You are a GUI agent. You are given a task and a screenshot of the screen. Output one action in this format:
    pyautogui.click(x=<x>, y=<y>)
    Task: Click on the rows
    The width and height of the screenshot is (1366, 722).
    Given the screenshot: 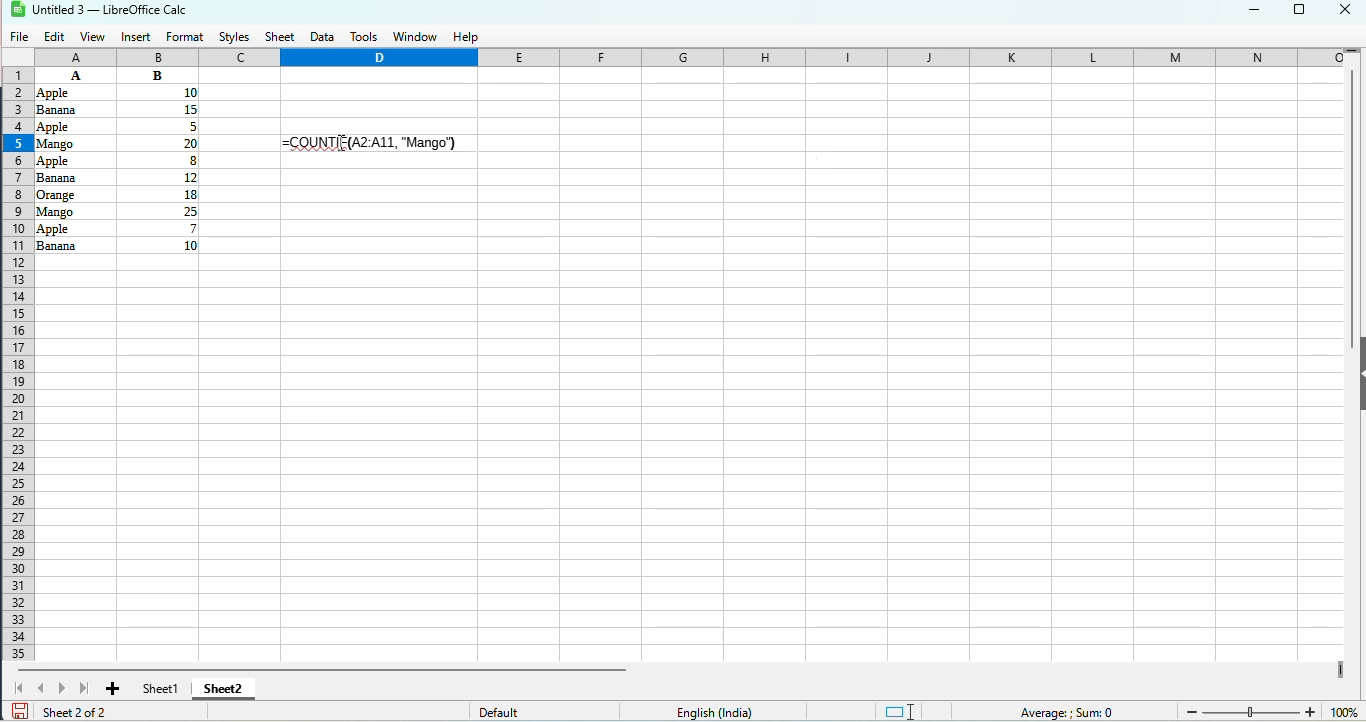 What is the action you would take?
    pyautogui.click(x=17, y=366)
    